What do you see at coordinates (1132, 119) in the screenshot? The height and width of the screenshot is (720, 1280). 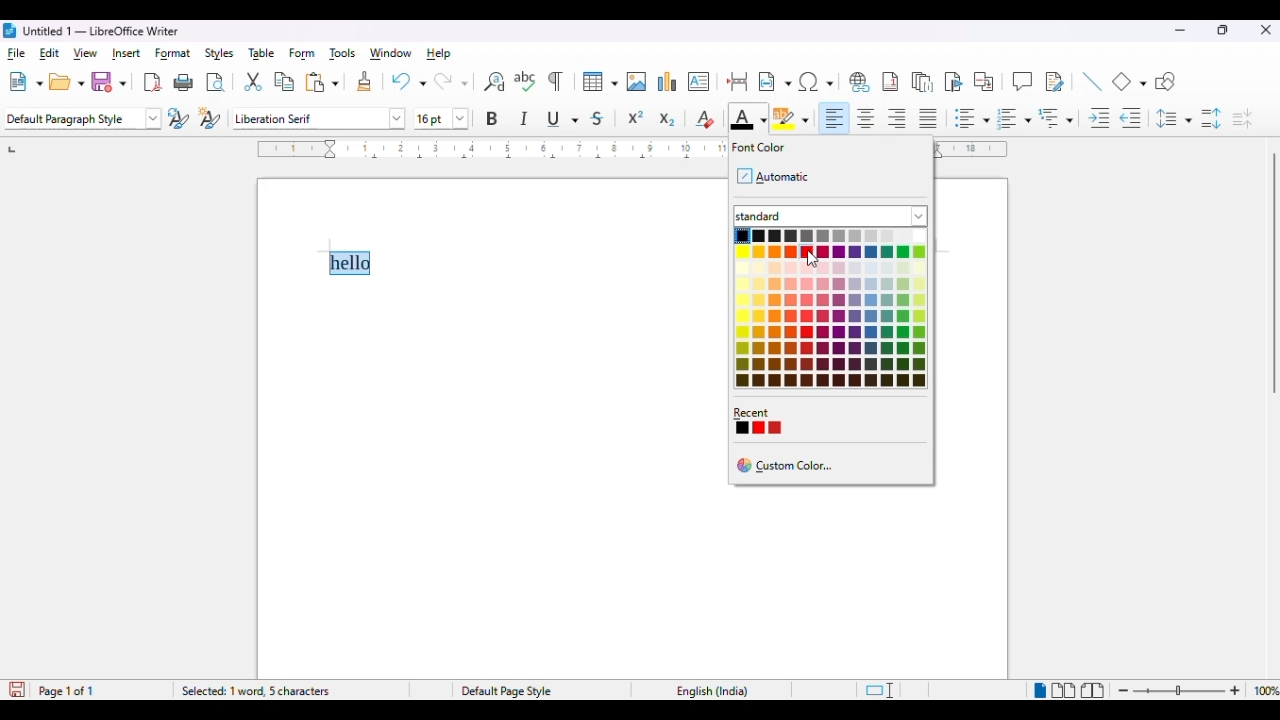 I see `decrease indent` at bounding box center [1132, 119].